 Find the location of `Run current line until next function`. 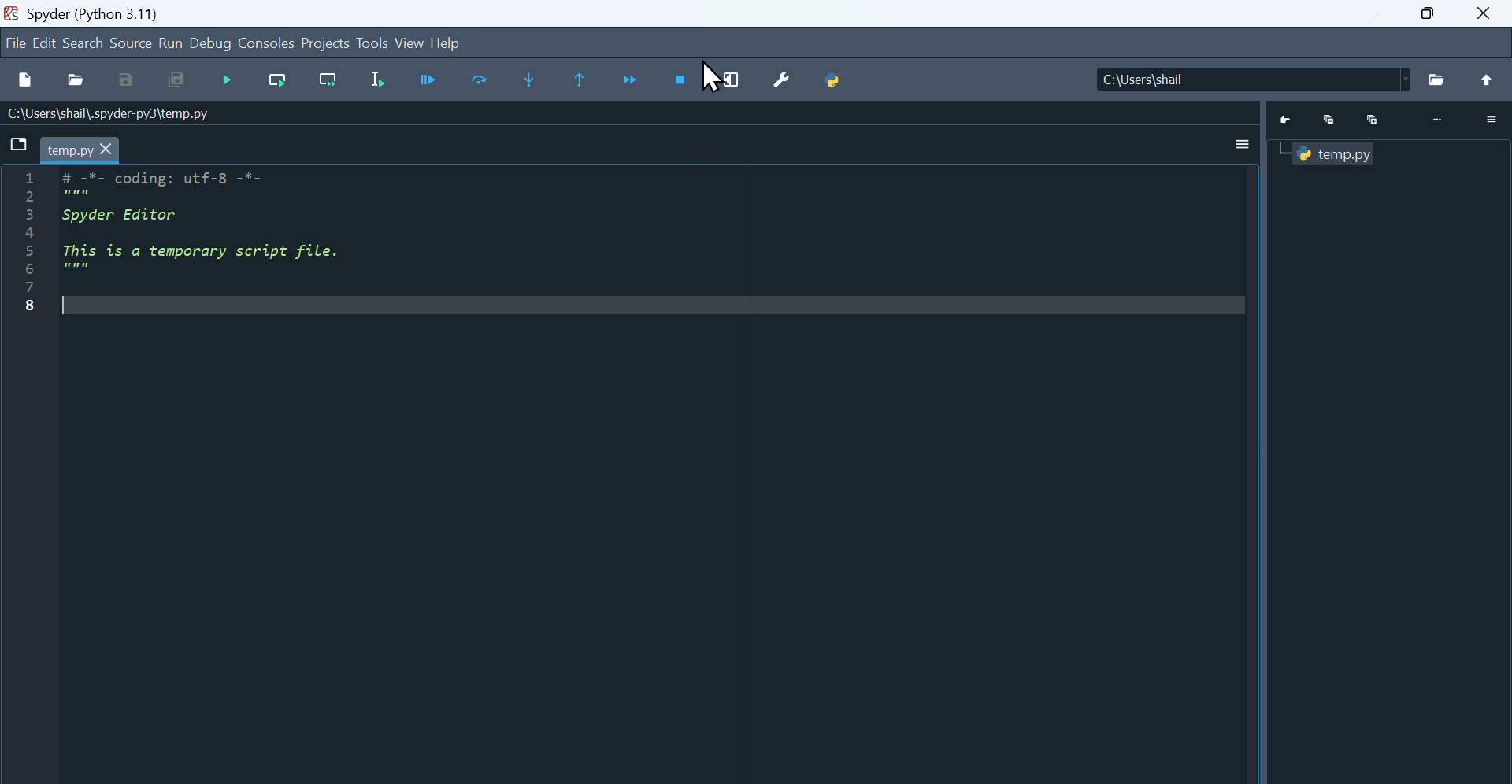

Run current line until next function is located at coordinates (327, 85).